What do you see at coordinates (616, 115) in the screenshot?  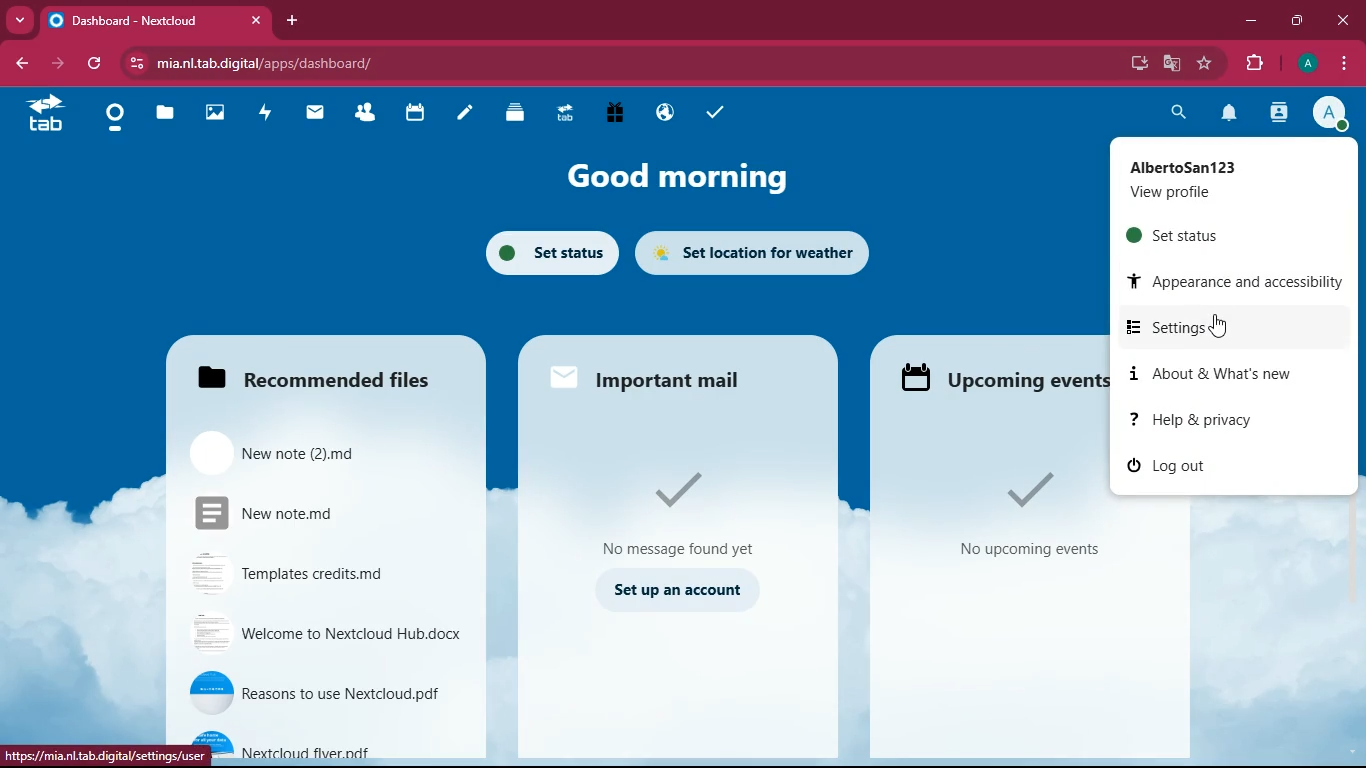 I see `gift` at bounding box center [616, 115].